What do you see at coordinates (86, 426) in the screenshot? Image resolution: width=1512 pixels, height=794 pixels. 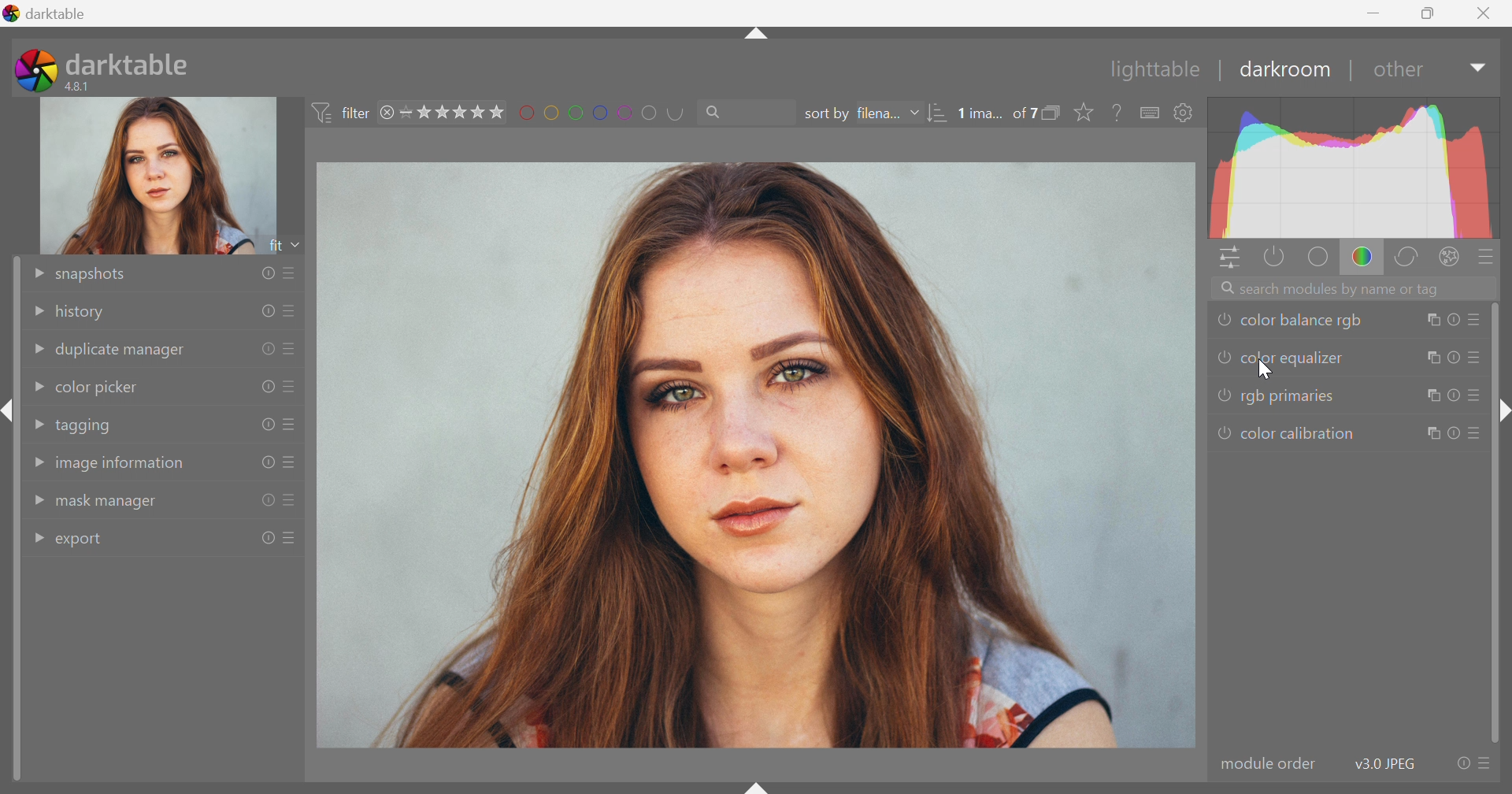 I see `tagging` at bounding box center [86, 426].